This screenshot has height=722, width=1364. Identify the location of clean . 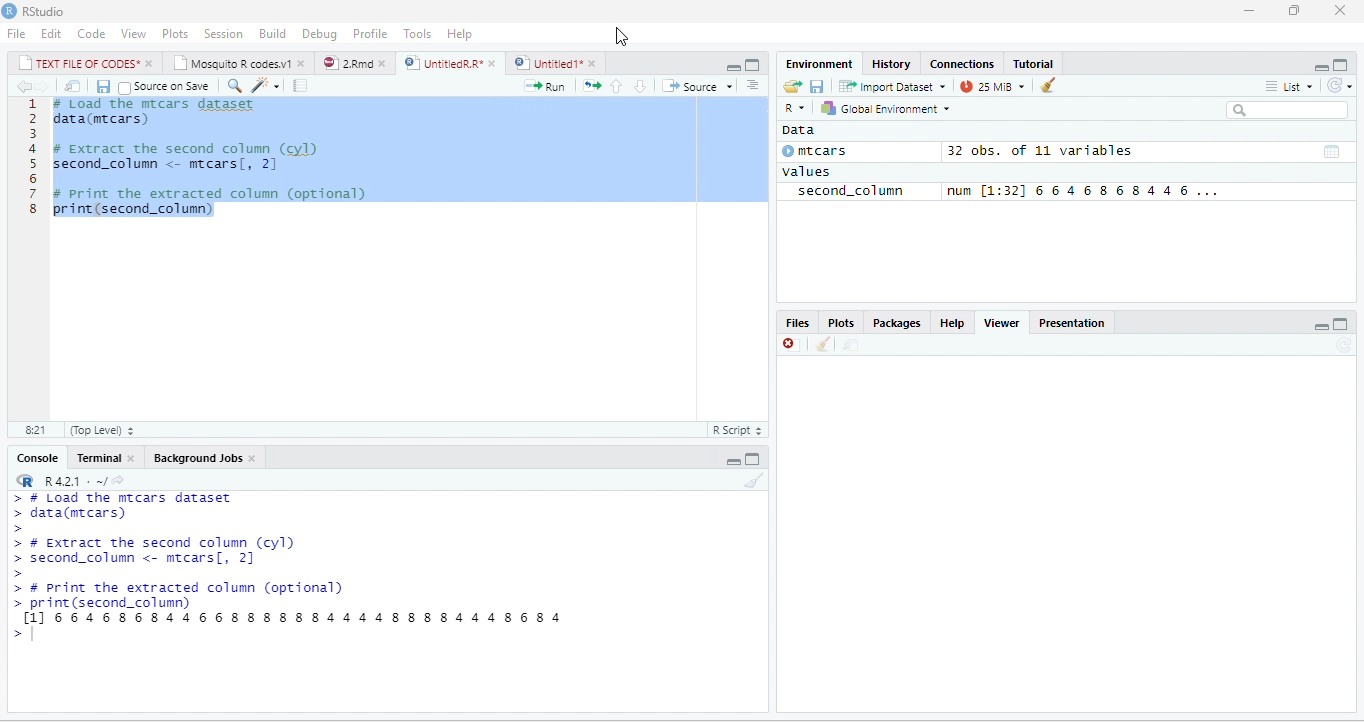
(823, 346).